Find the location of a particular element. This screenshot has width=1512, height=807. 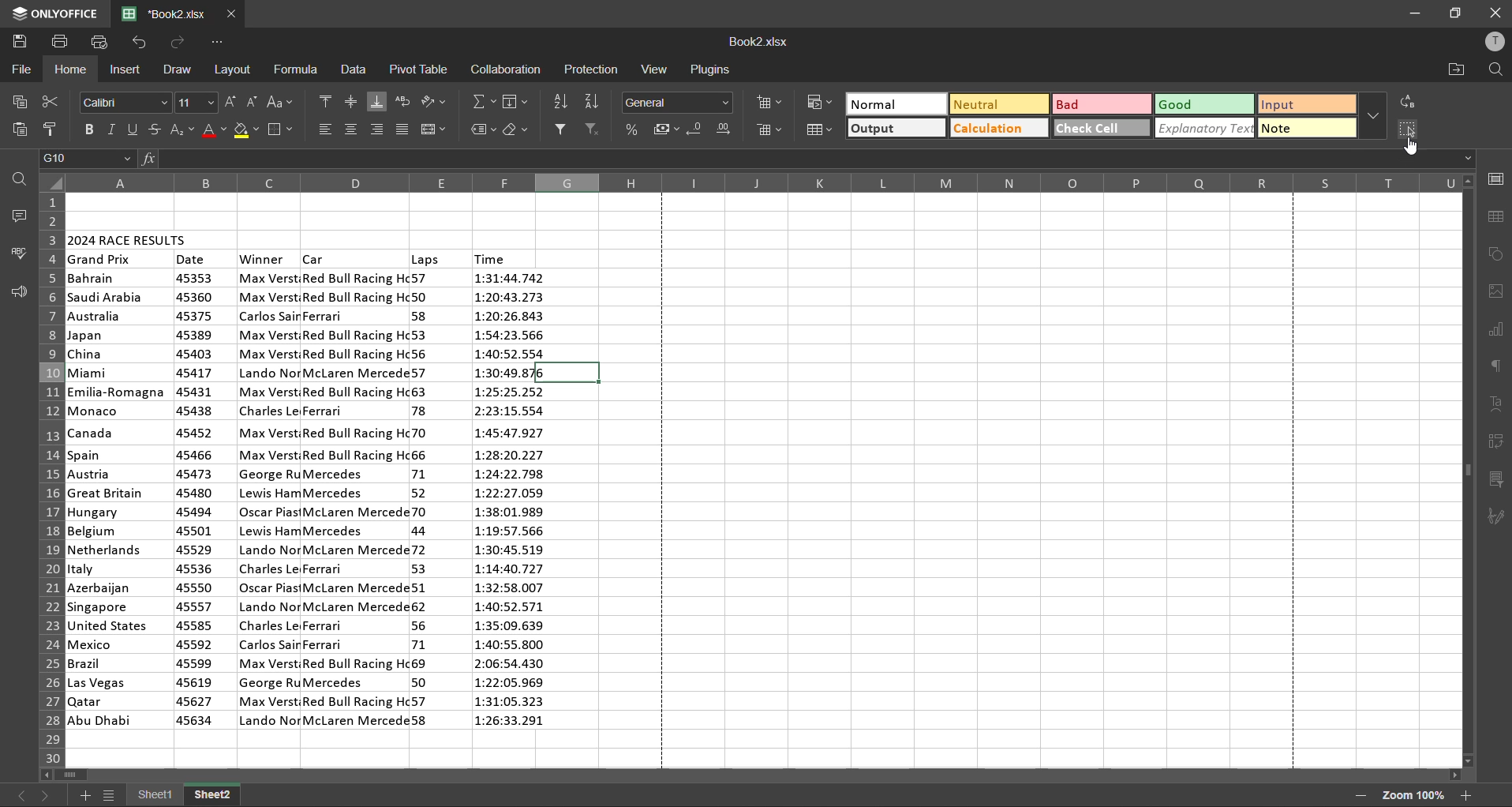

data is located at coordinates (352, 72).